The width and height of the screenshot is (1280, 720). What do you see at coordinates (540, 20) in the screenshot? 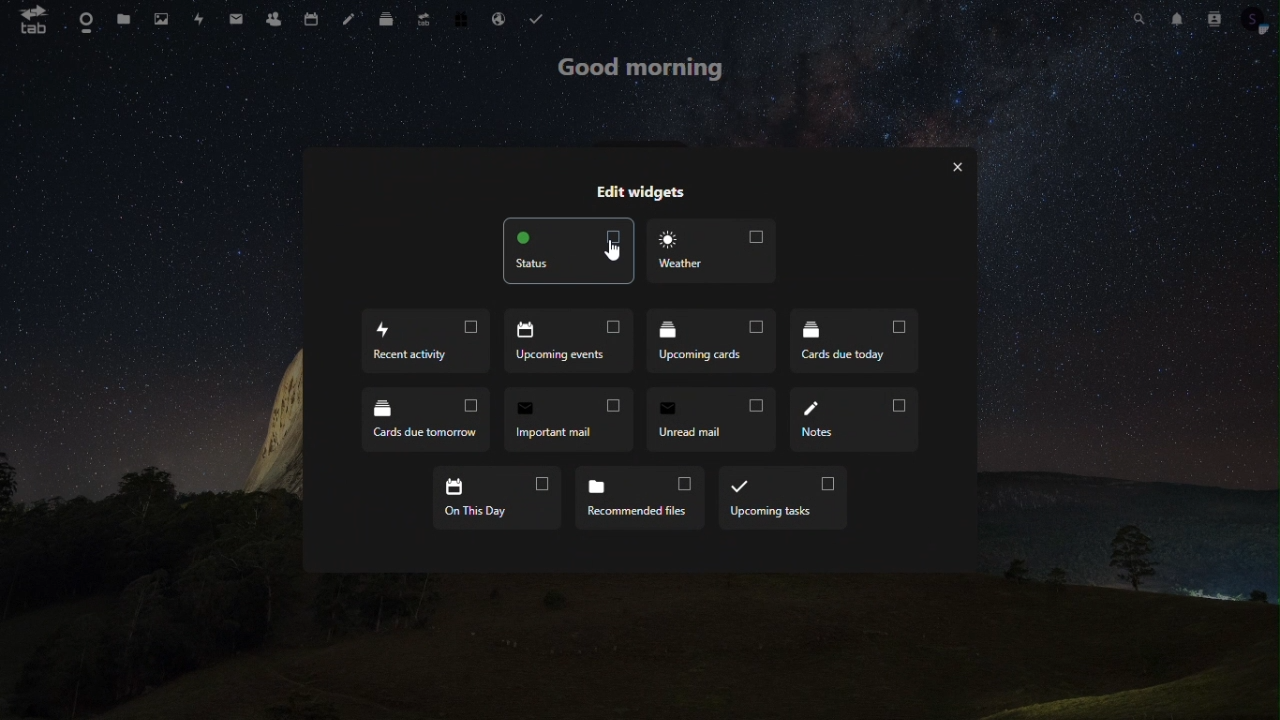
I see `task` at bounding box center [540, 20].